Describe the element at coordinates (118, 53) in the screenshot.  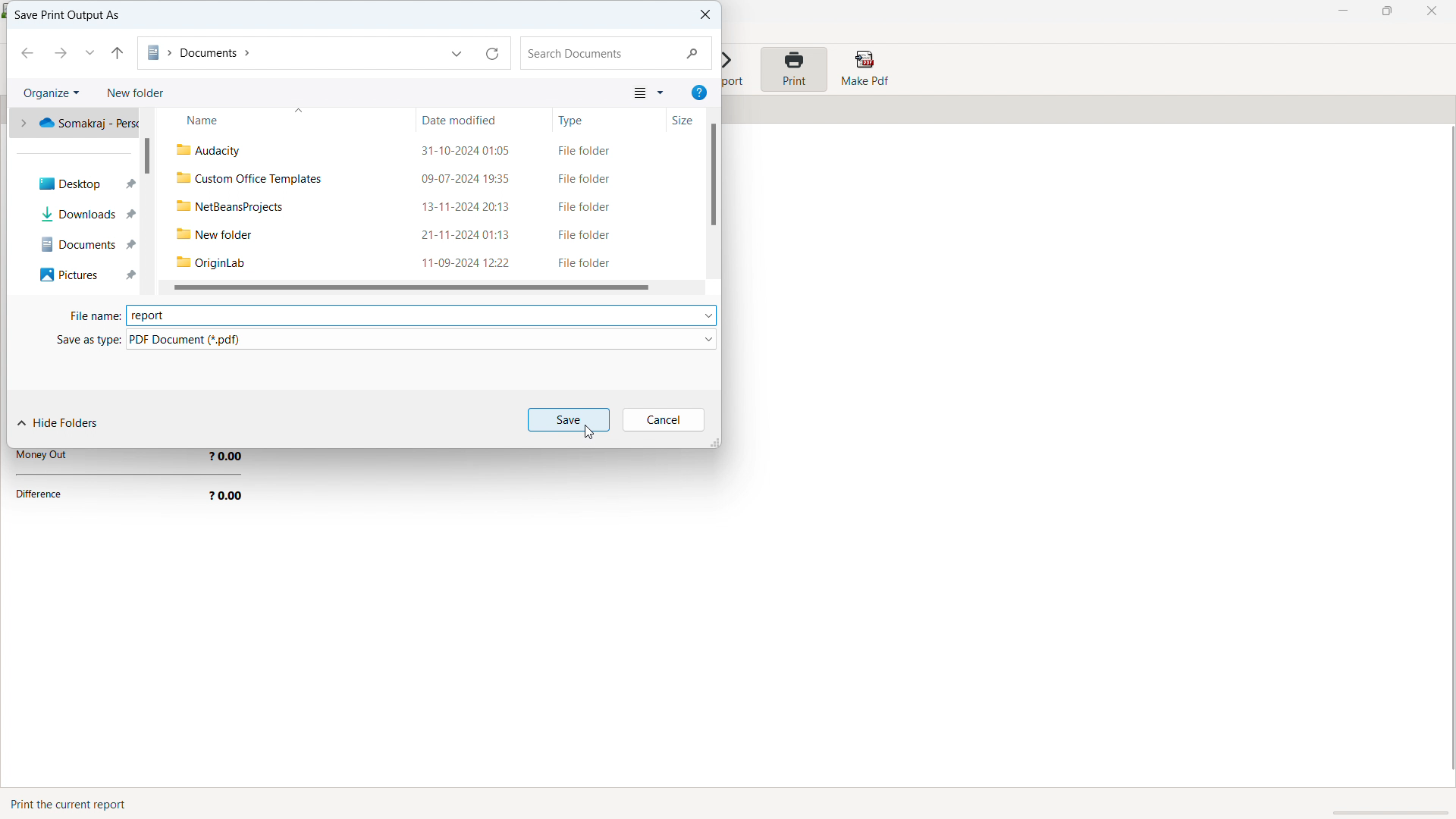
I see `go to originating folder` at that location.